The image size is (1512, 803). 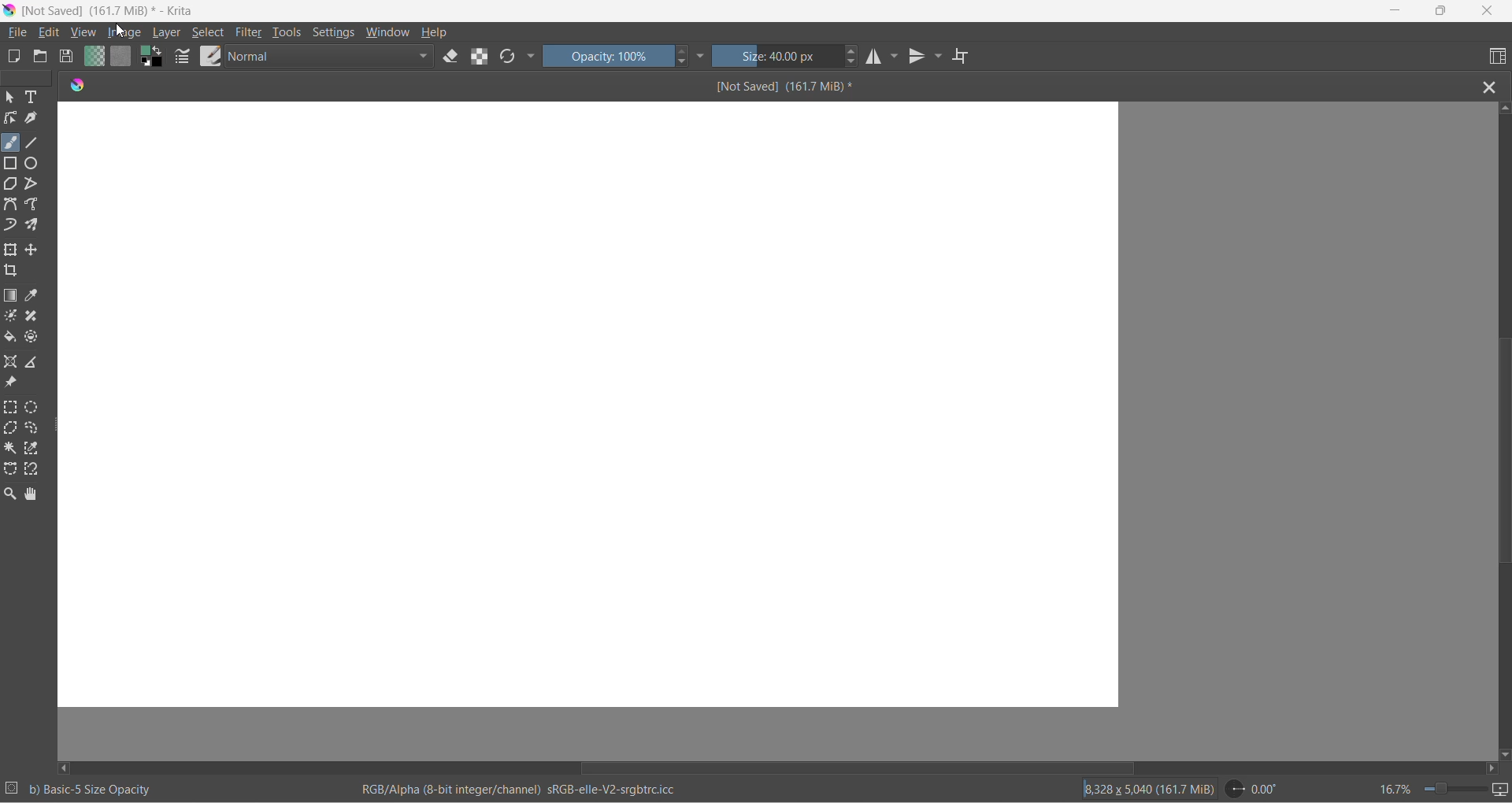 I want to click on minimize, so click(x=1396, y=12).